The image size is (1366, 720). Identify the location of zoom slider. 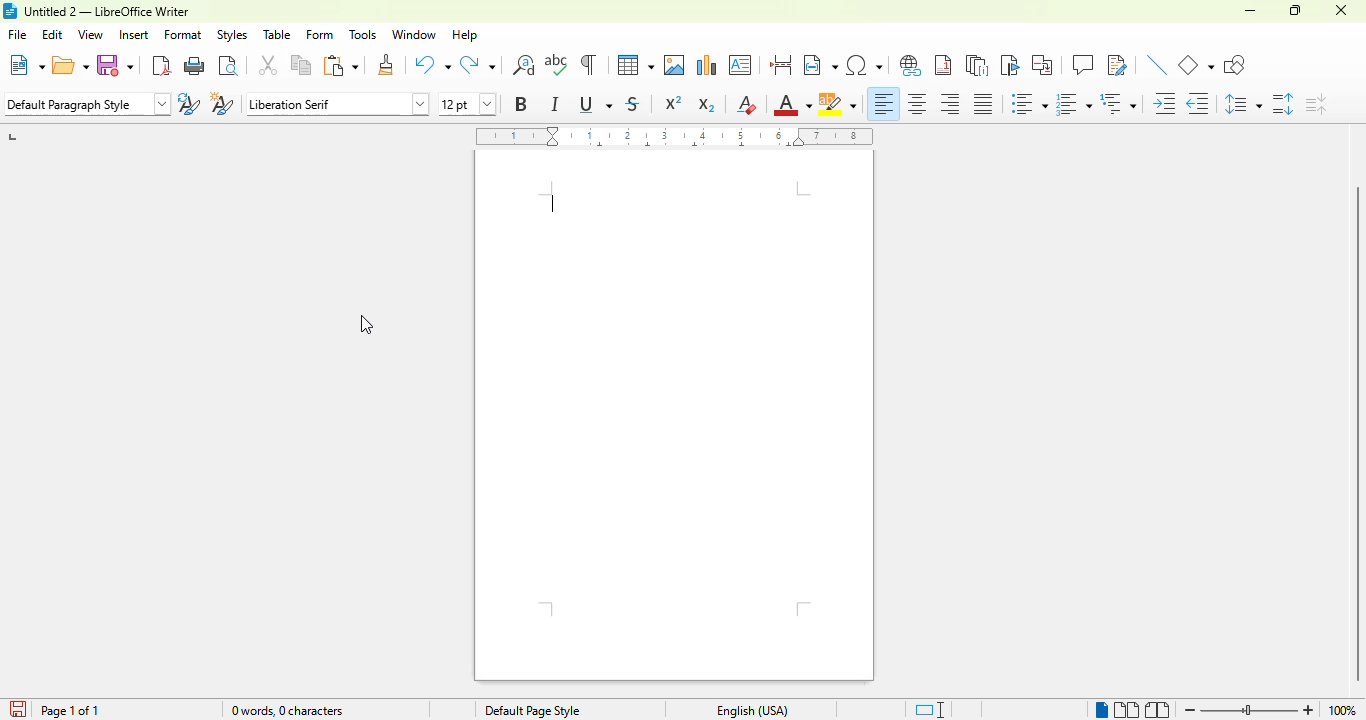
(1251, 709).